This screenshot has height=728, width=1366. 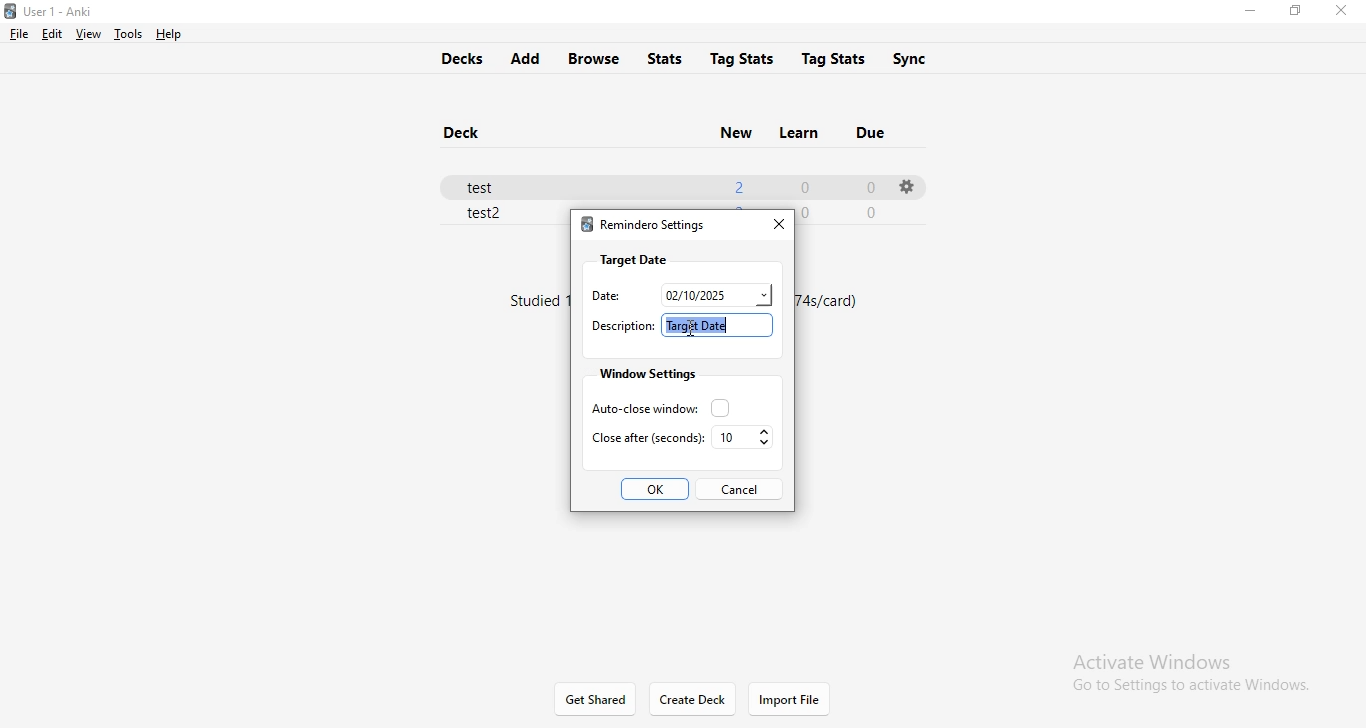 I want to click on cancel, so click(x=738, y=488).